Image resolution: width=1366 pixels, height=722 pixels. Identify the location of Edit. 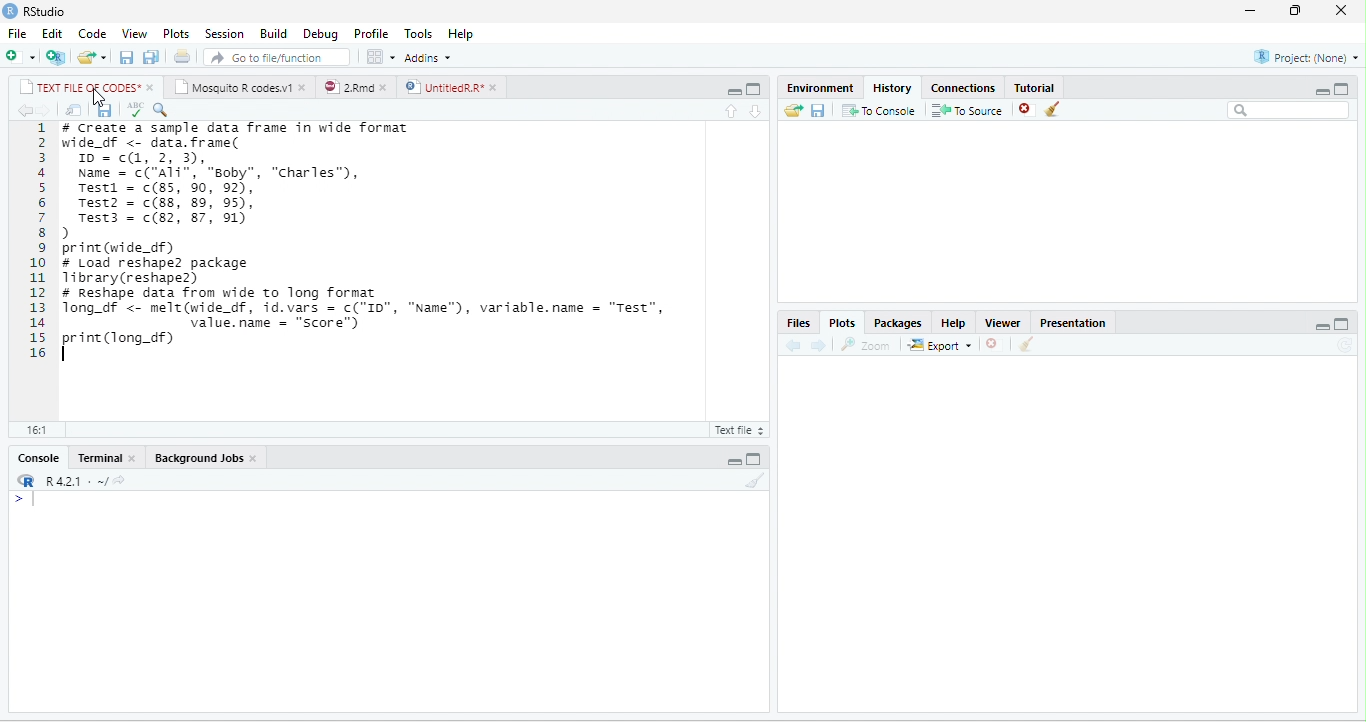
(52, 33).